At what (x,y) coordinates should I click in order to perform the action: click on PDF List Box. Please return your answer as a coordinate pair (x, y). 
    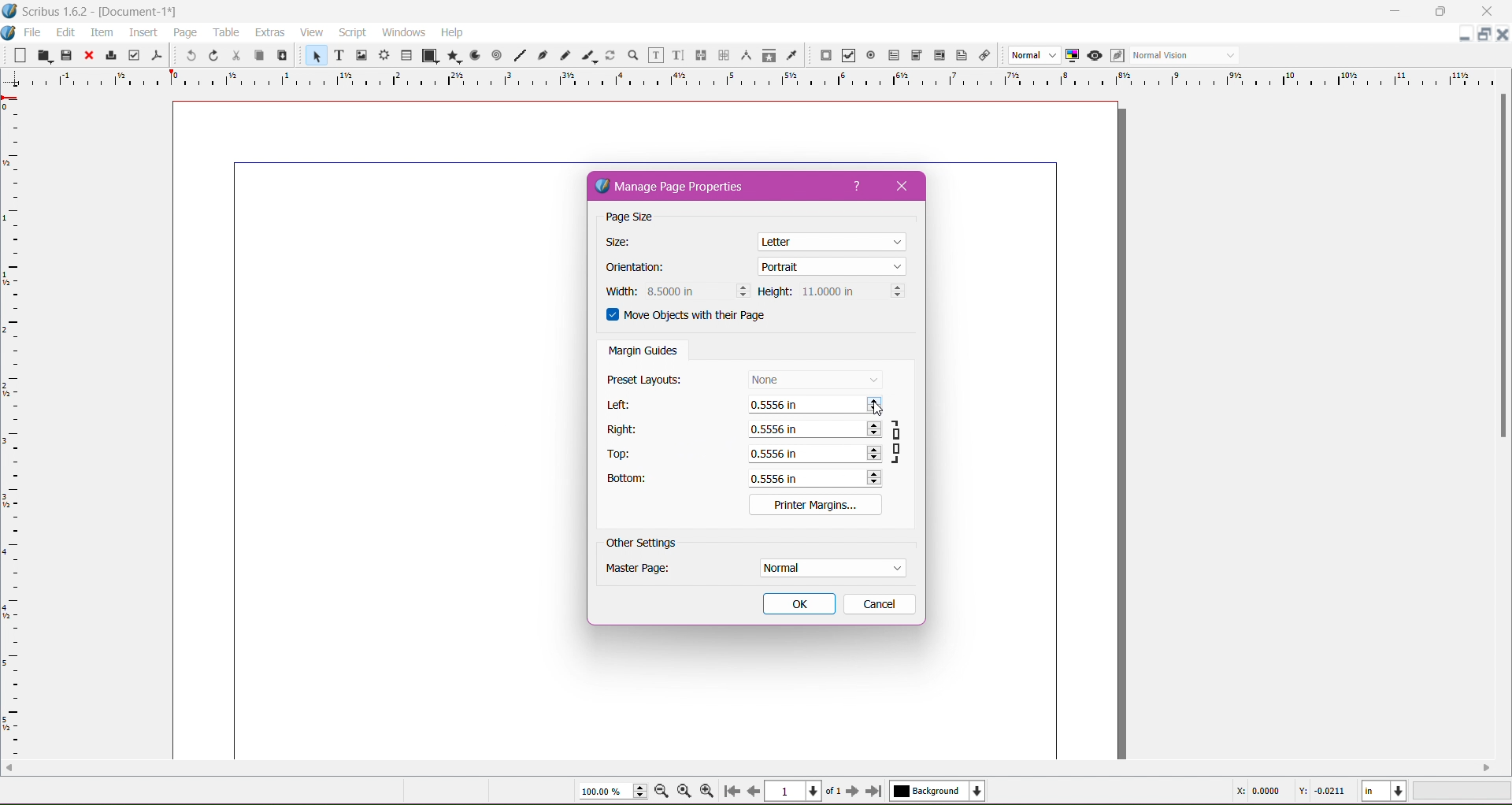
    Looking at the image, I should click on (939, 55).